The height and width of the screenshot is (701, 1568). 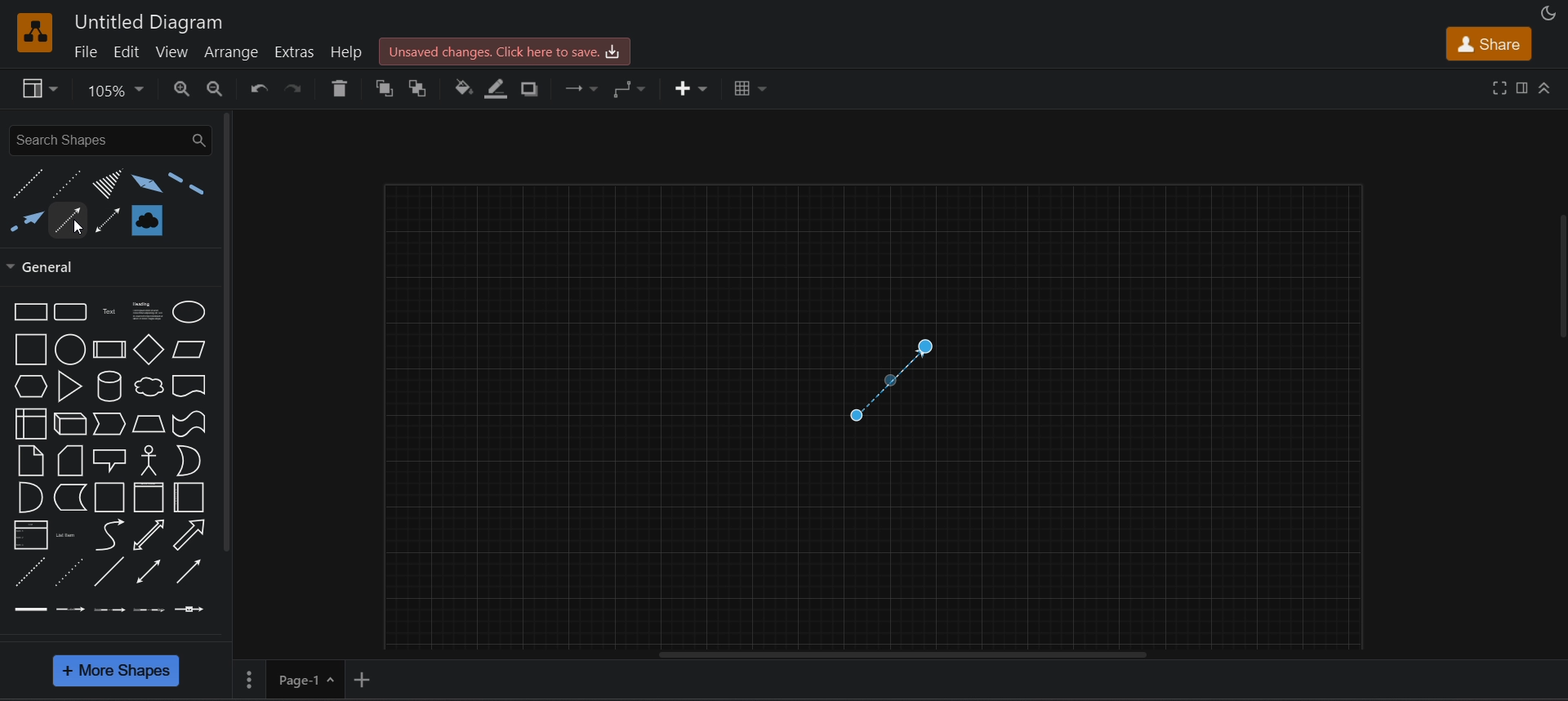 I want to click on dashed line 2, so click(x=187, y=185).